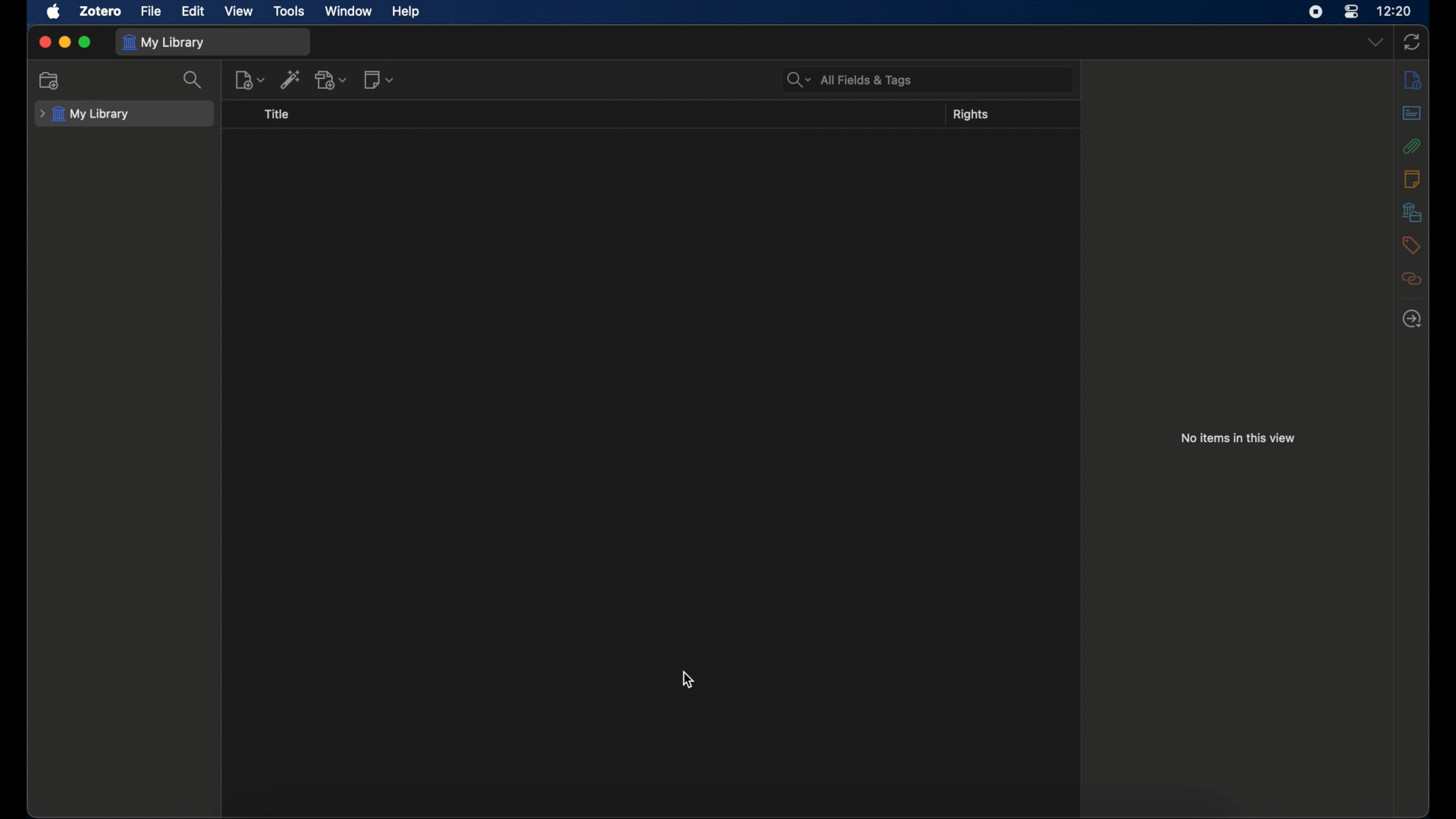  Describe the element at coordinates (331, 80) in the screenshot. I see `add attachments` at that location.